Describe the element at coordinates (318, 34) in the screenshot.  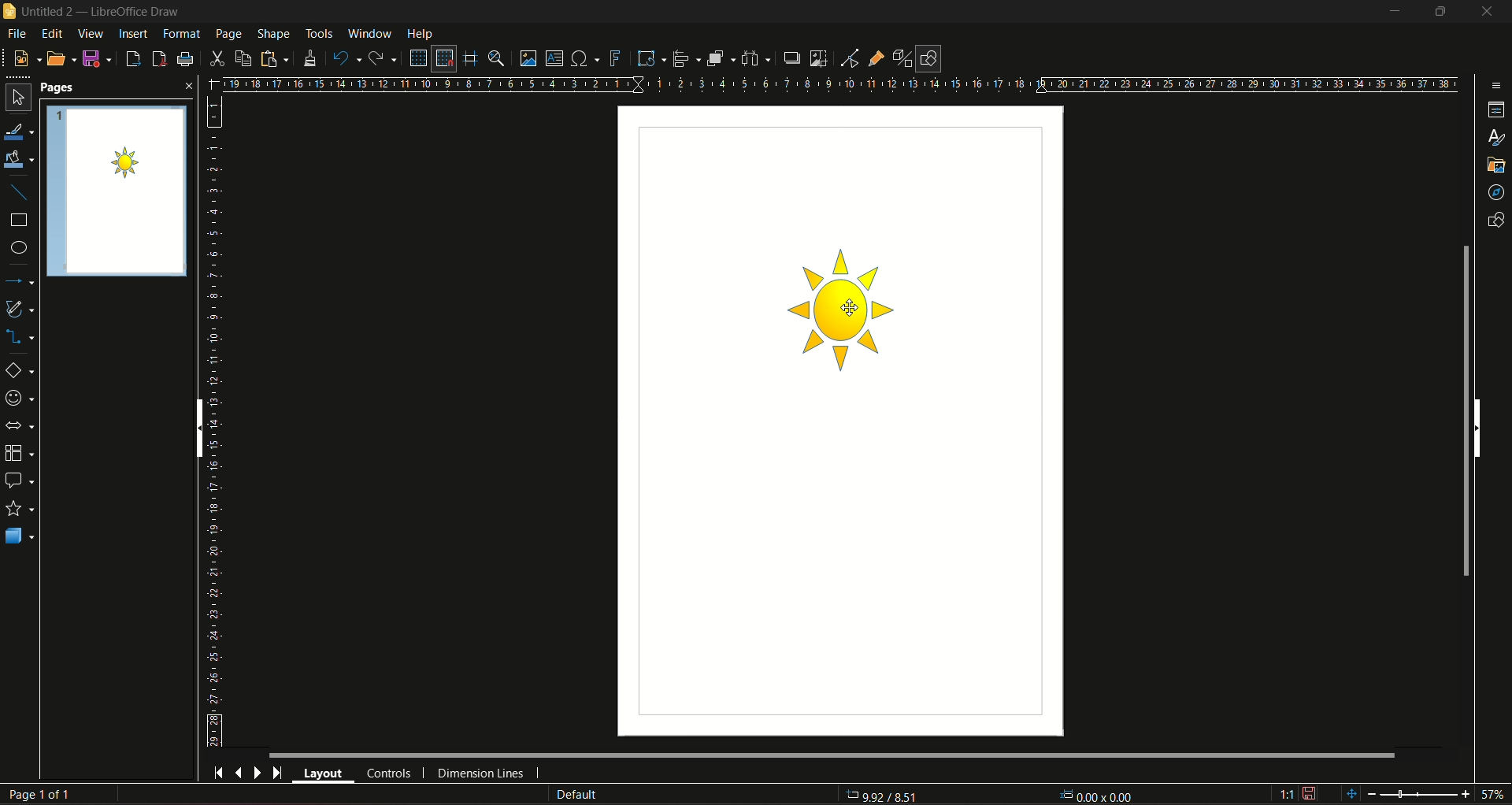
I see `tools` at that location.